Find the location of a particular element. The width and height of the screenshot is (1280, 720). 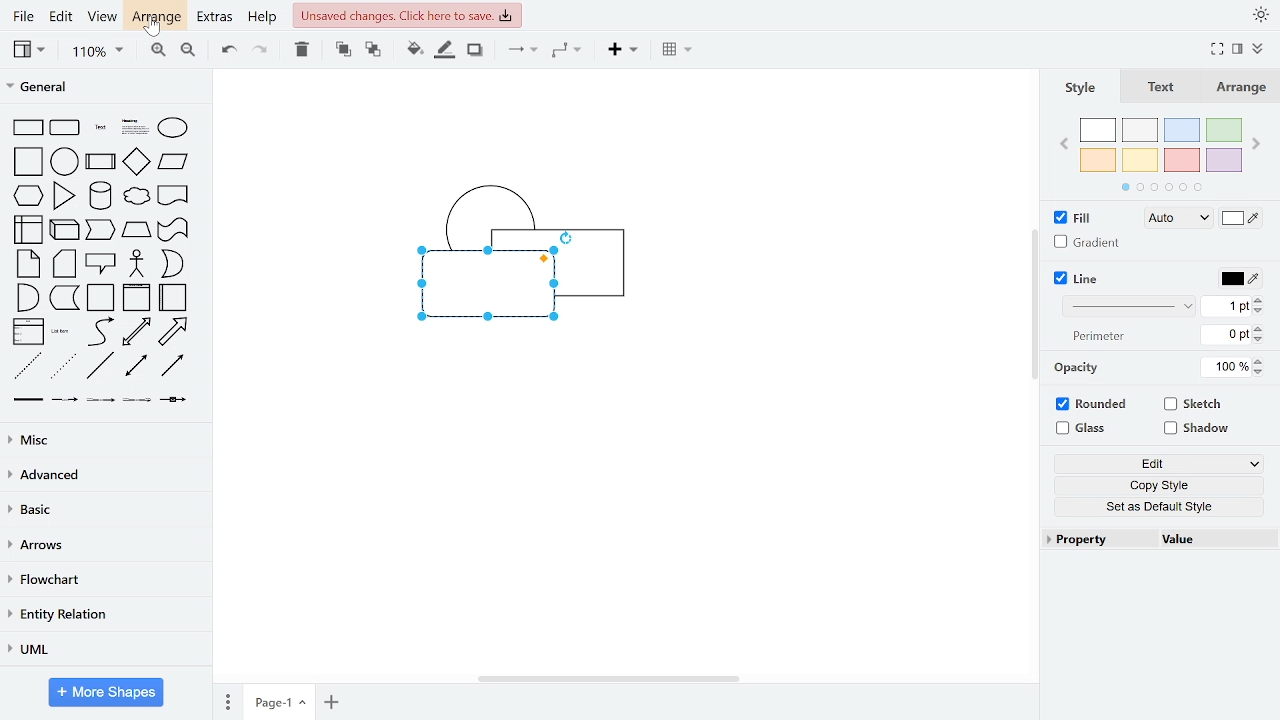

orange is located at coordinates (1098, 159).